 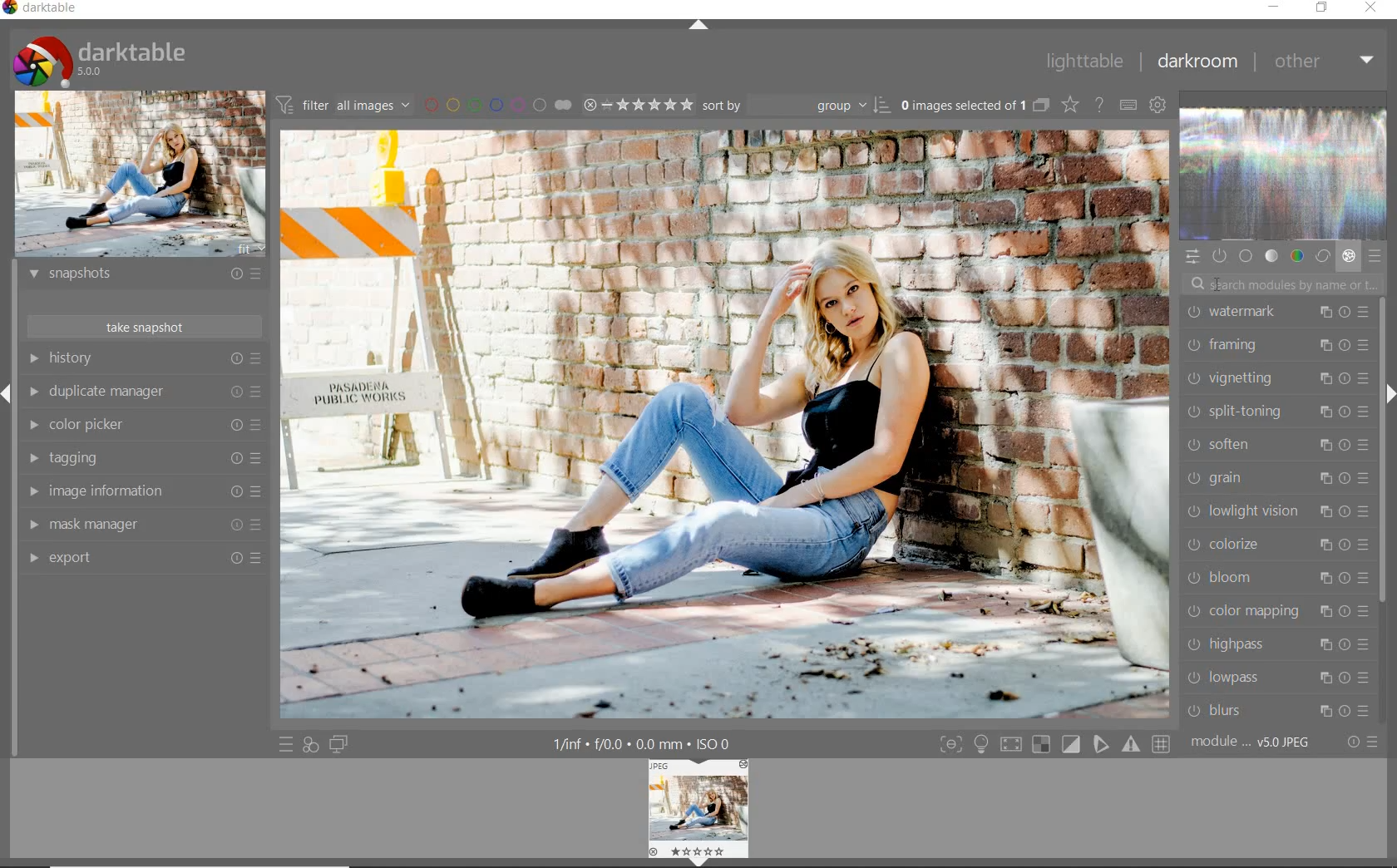 I want to click on color picker, so click(x=146, y=426).